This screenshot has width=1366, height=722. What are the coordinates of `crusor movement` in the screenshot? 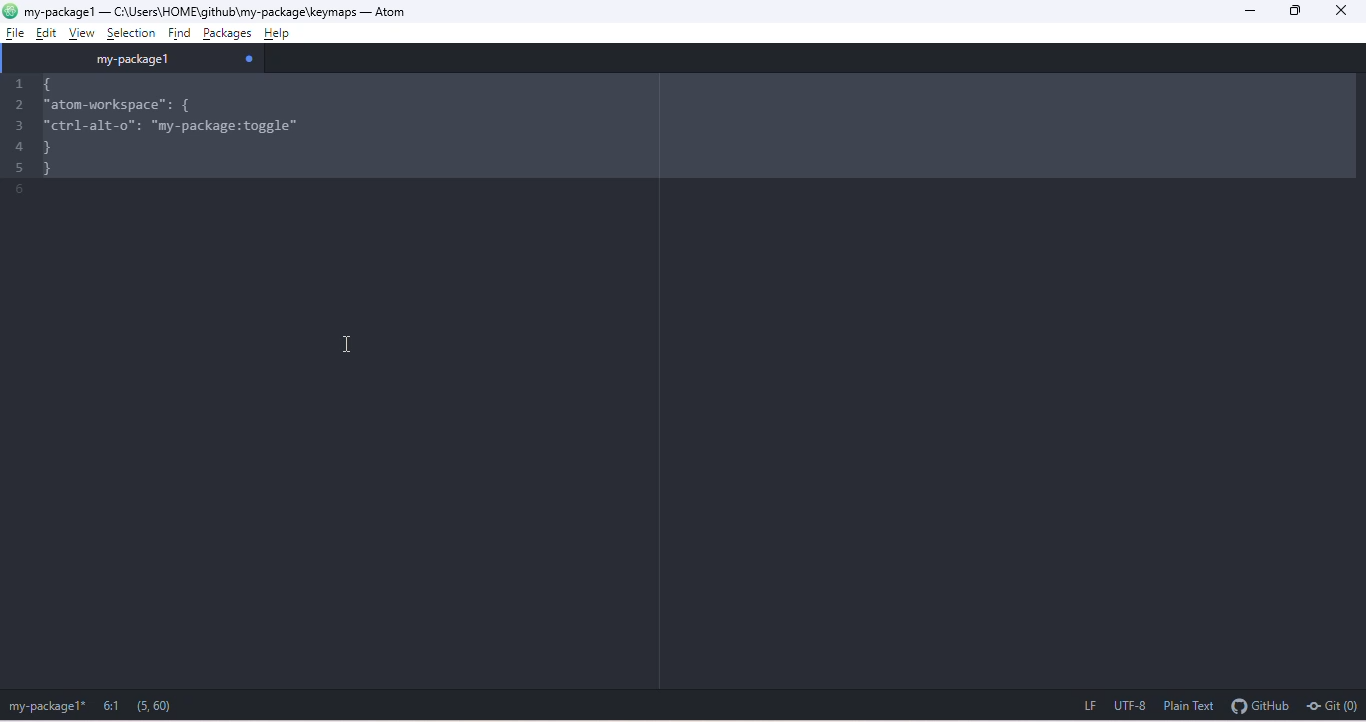 It's located at (353, 343).